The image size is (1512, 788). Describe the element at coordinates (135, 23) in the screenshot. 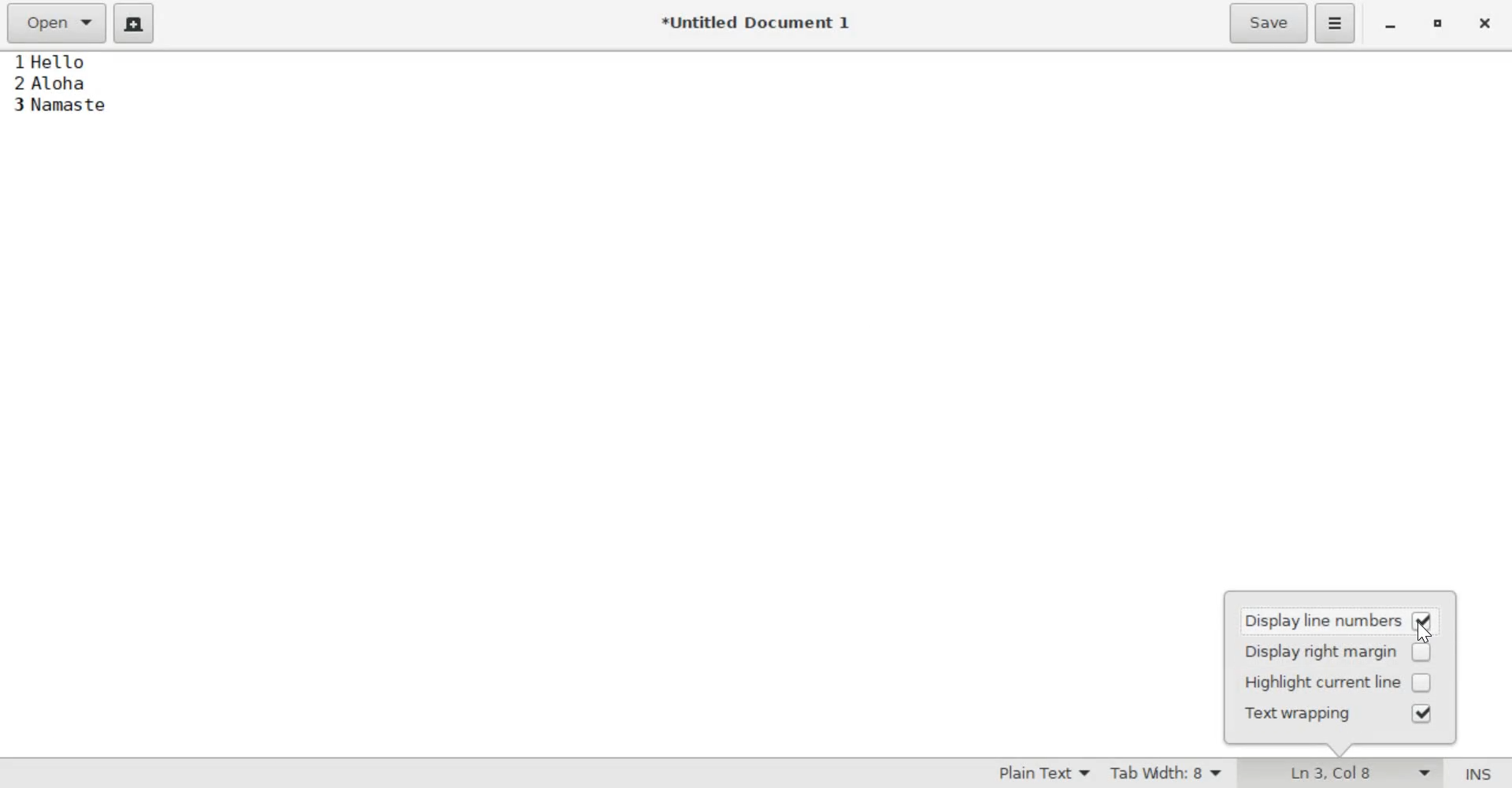

I see `create a new document` at that location.